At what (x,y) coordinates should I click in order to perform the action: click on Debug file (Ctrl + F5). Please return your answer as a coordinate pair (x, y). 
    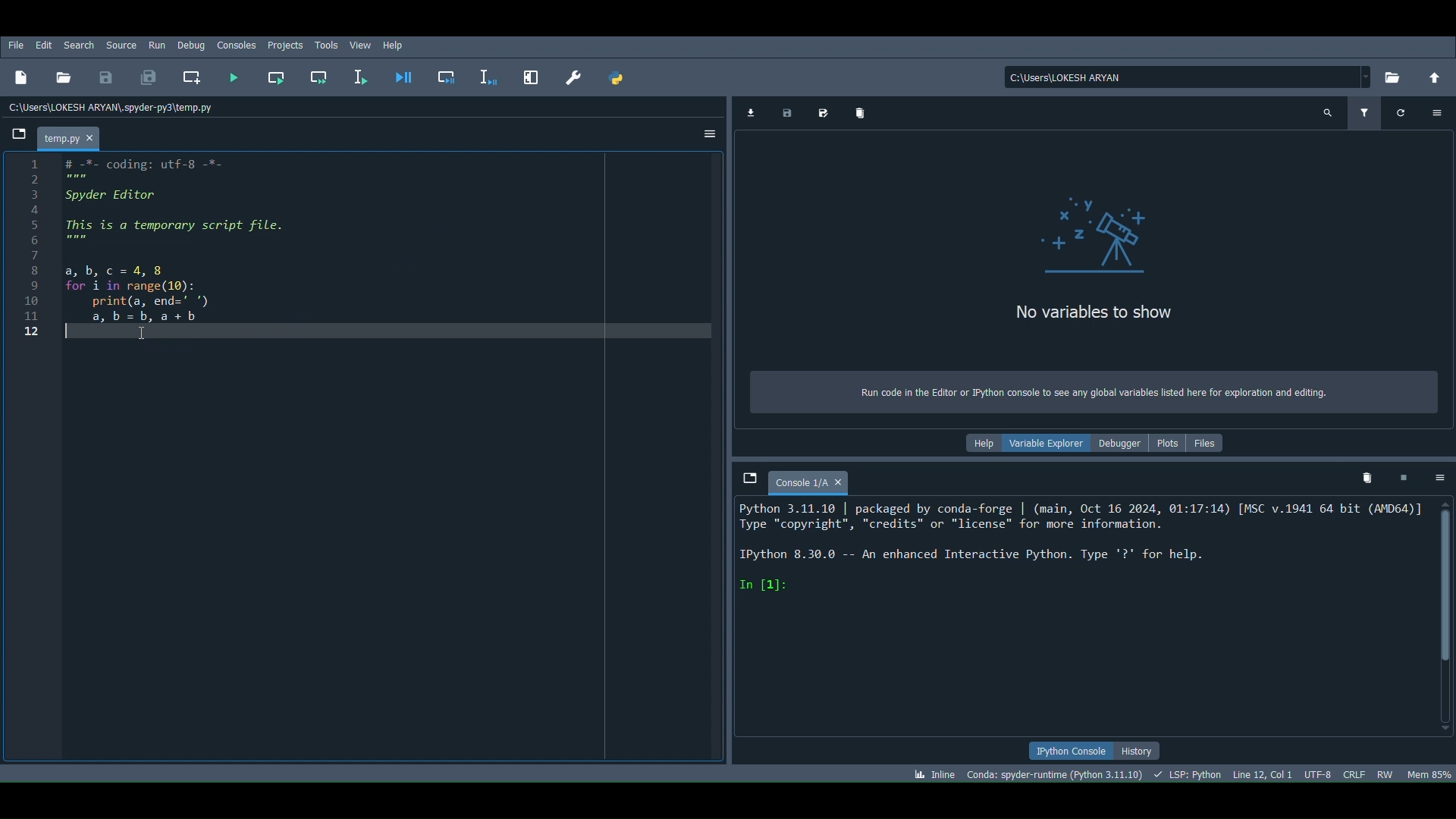
    Looking at the image, I should click on (401, 76).